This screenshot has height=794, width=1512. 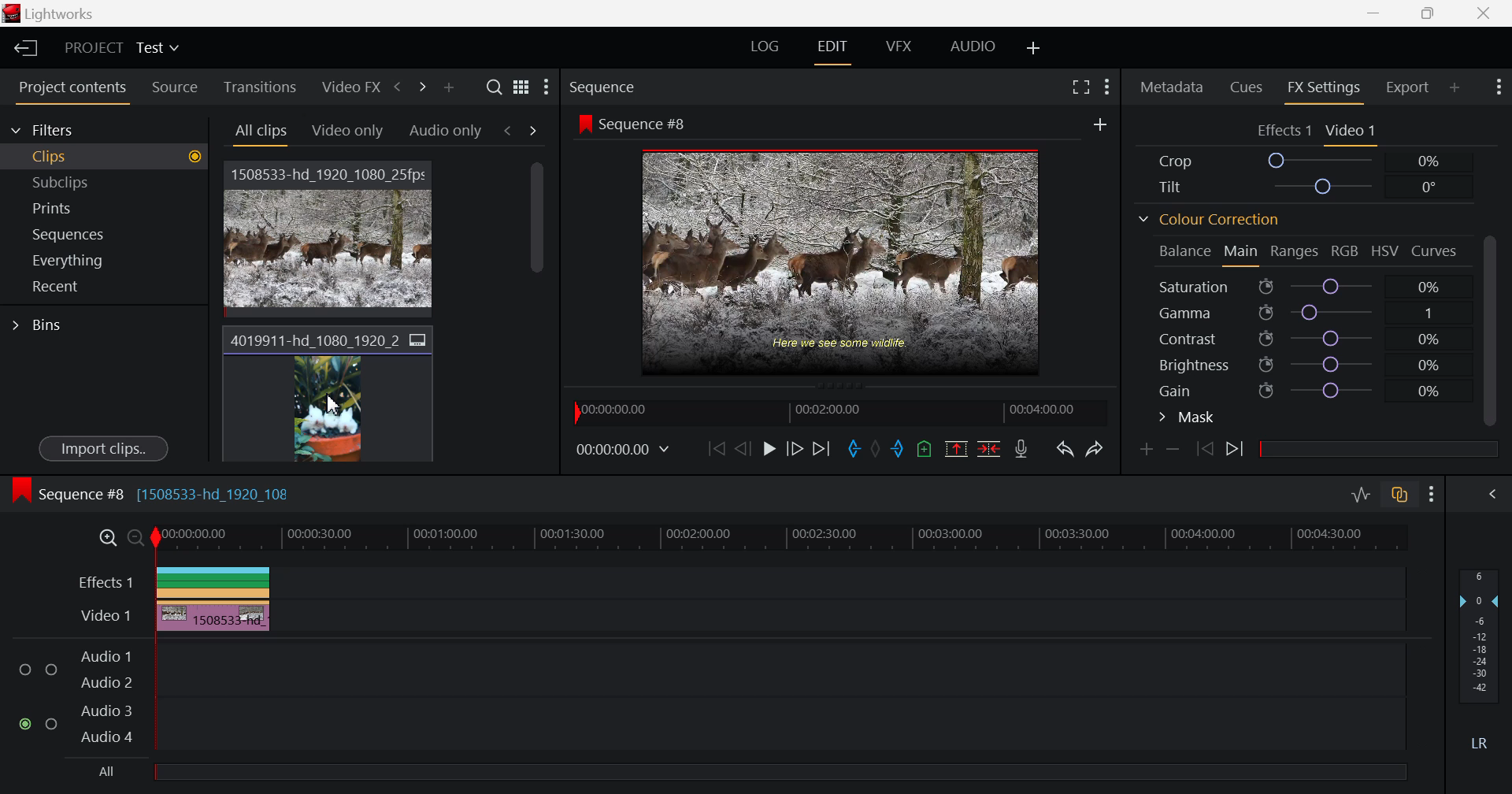 I want to click on Cues, so click(x=1249, y=88).